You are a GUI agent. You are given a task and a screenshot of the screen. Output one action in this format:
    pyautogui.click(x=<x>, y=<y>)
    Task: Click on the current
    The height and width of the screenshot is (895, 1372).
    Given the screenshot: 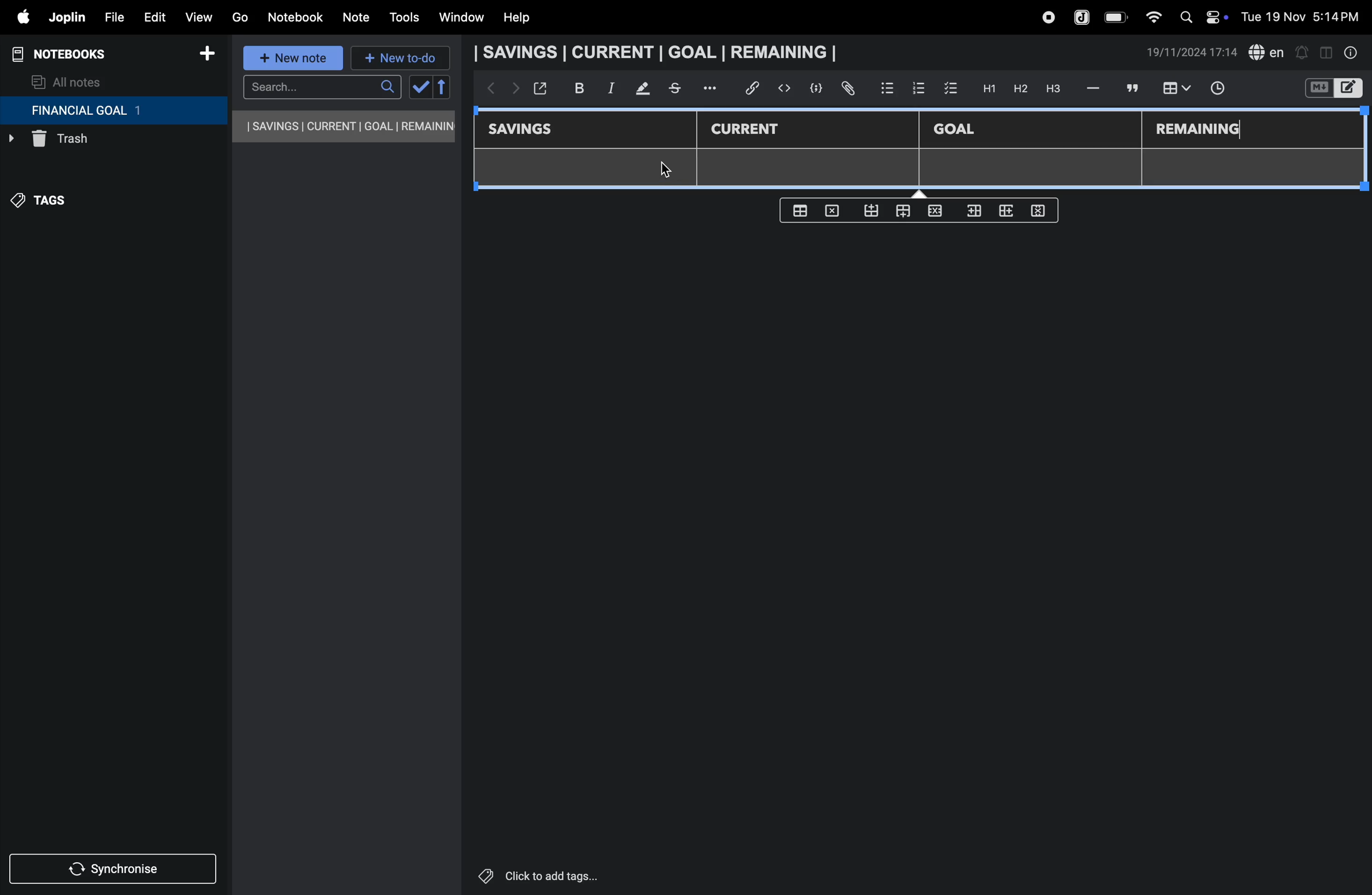 What is the action you would take?
    pyautogui.click(x=753, y=130)
    